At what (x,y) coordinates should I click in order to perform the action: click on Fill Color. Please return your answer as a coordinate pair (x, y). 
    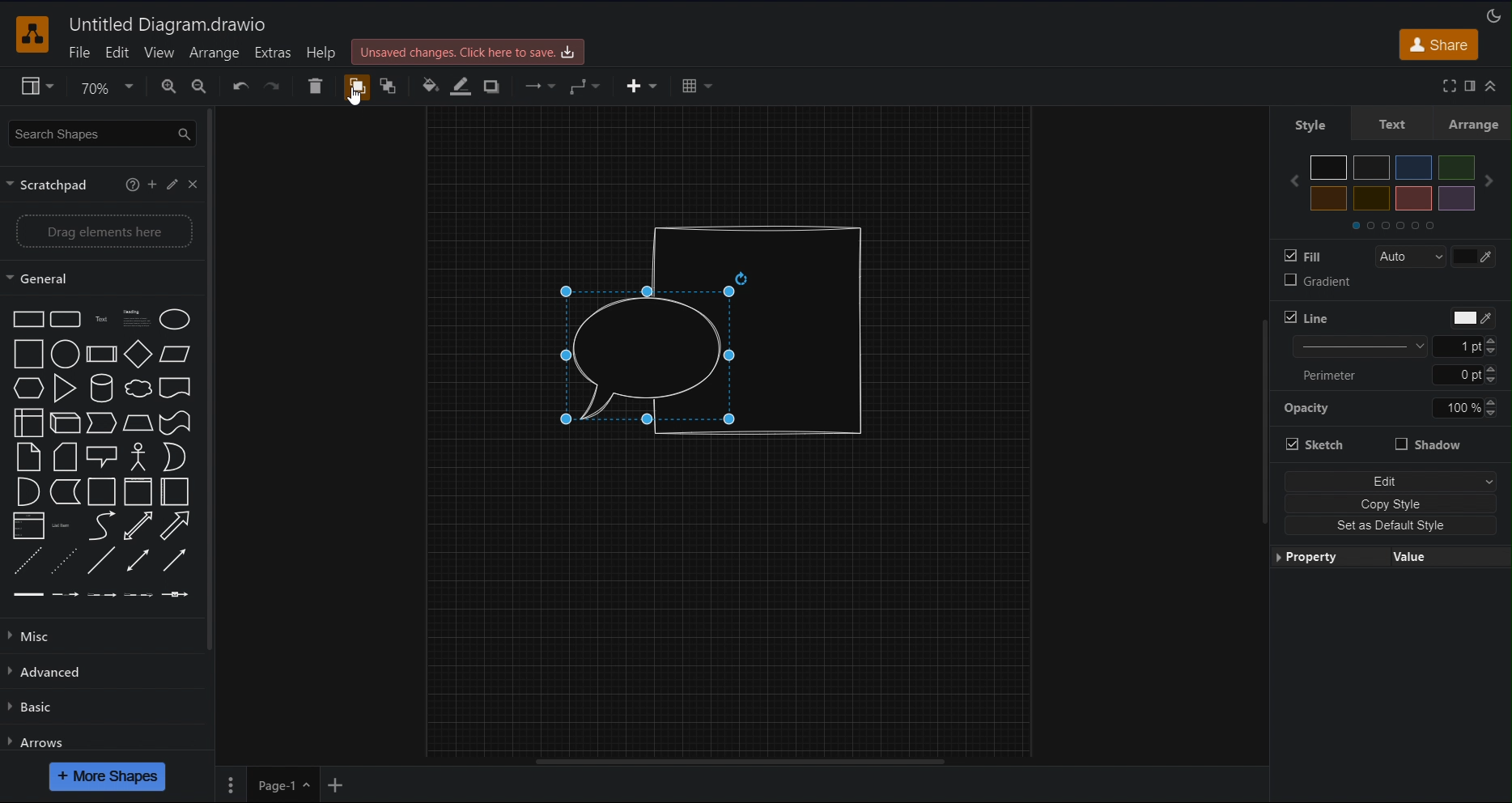
    Looking at the image, I should click on (428, 86).